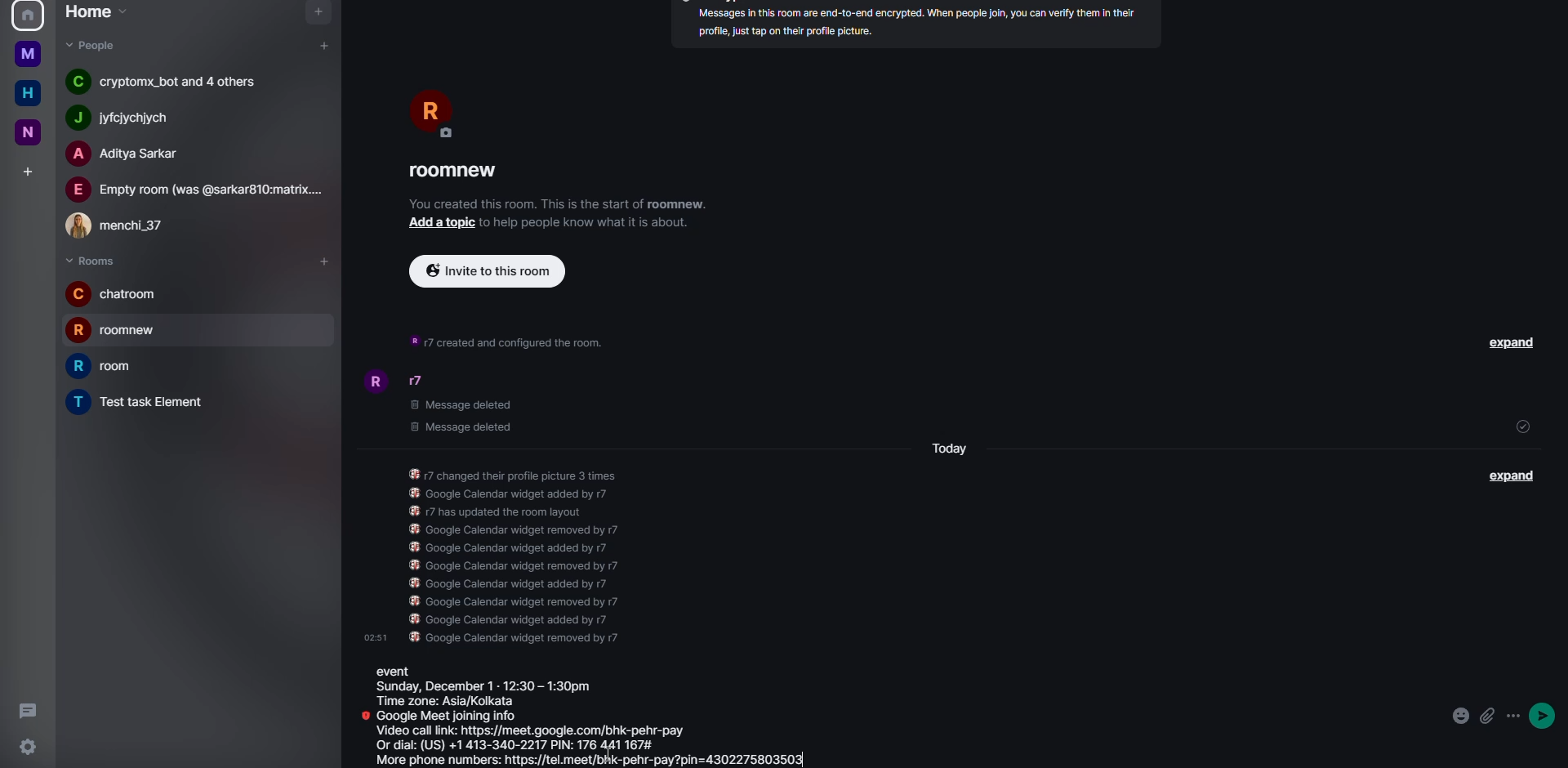  I want to click on people, so click(136, 118).